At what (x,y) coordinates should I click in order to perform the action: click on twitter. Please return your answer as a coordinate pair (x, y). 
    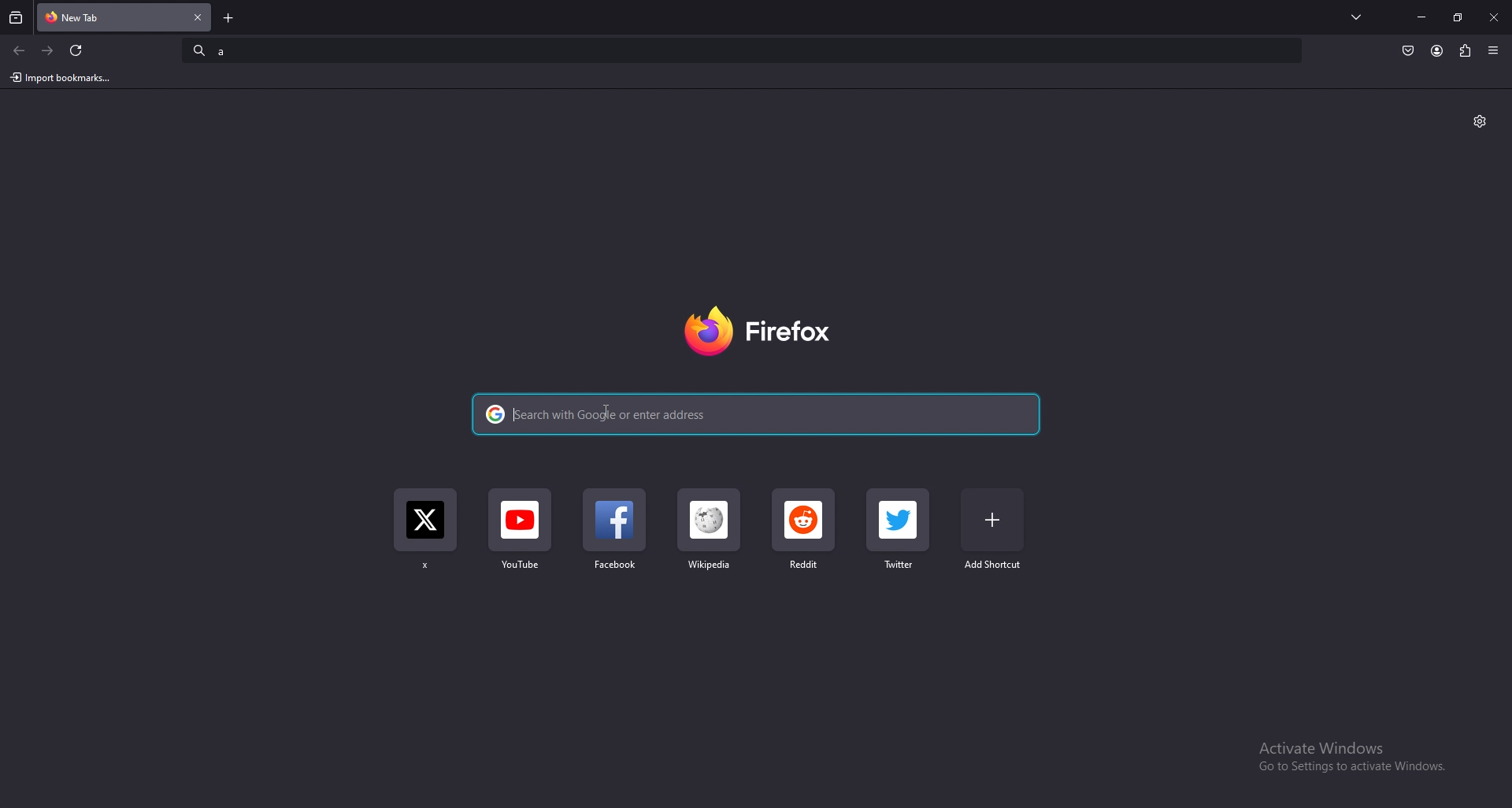
    Looking at the image, I should click on (900, 532).